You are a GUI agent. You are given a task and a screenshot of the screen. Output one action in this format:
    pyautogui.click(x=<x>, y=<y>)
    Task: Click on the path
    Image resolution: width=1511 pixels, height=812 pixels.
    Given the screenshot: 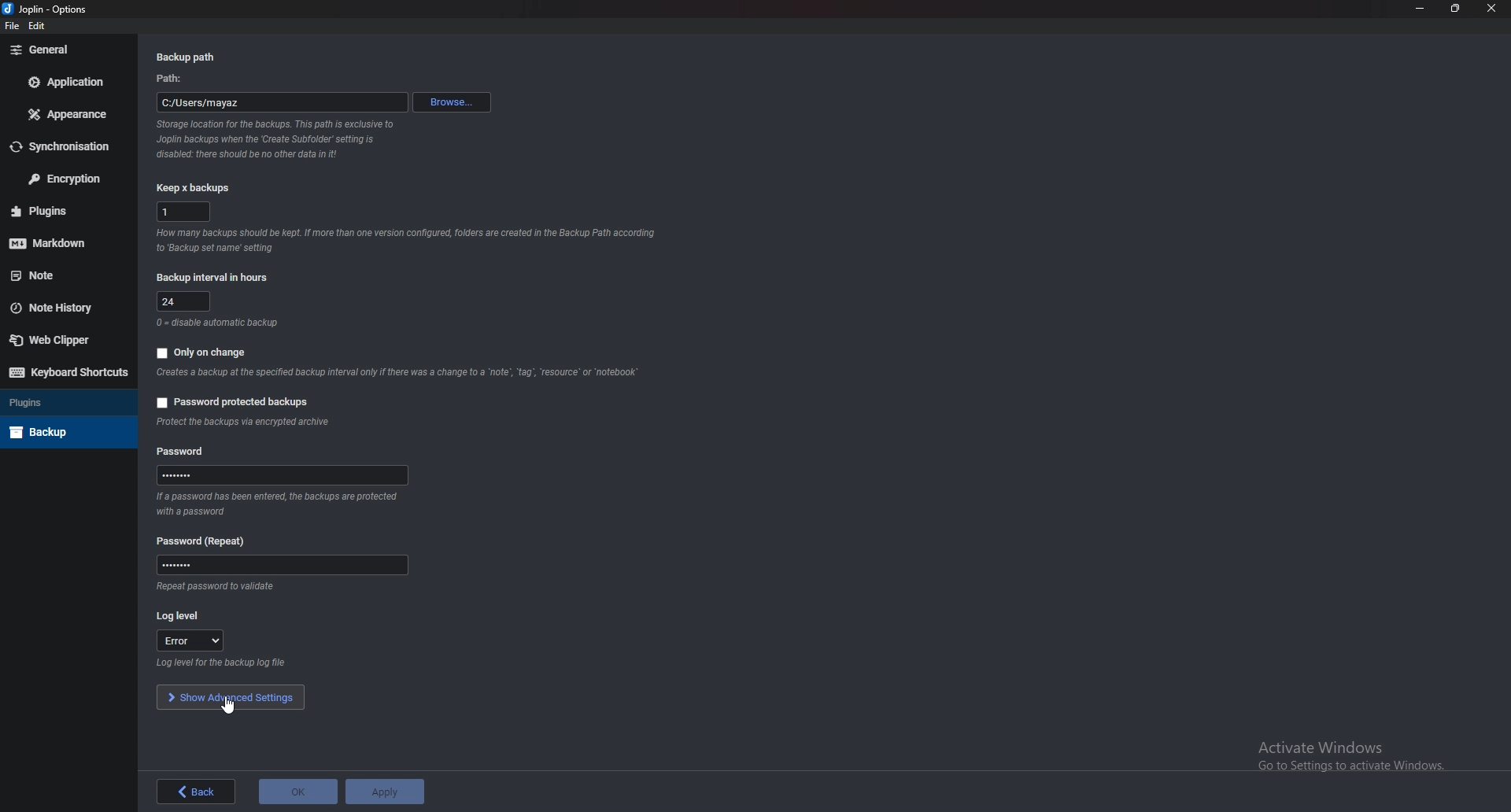 What is the action you would take?
    pyautogui.click(x=174, y=79)
    